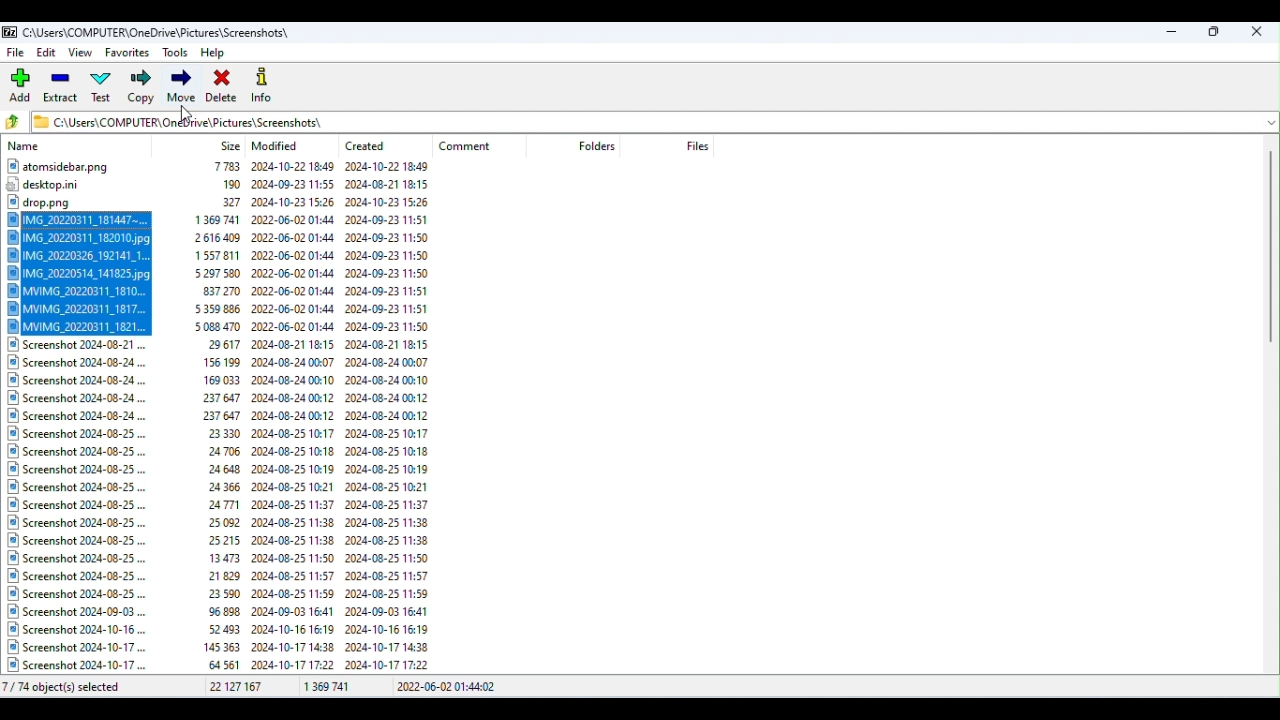  Describe the element at coordinates (1269, 121) in the screenshot. I see `Drop down menu` at that location.